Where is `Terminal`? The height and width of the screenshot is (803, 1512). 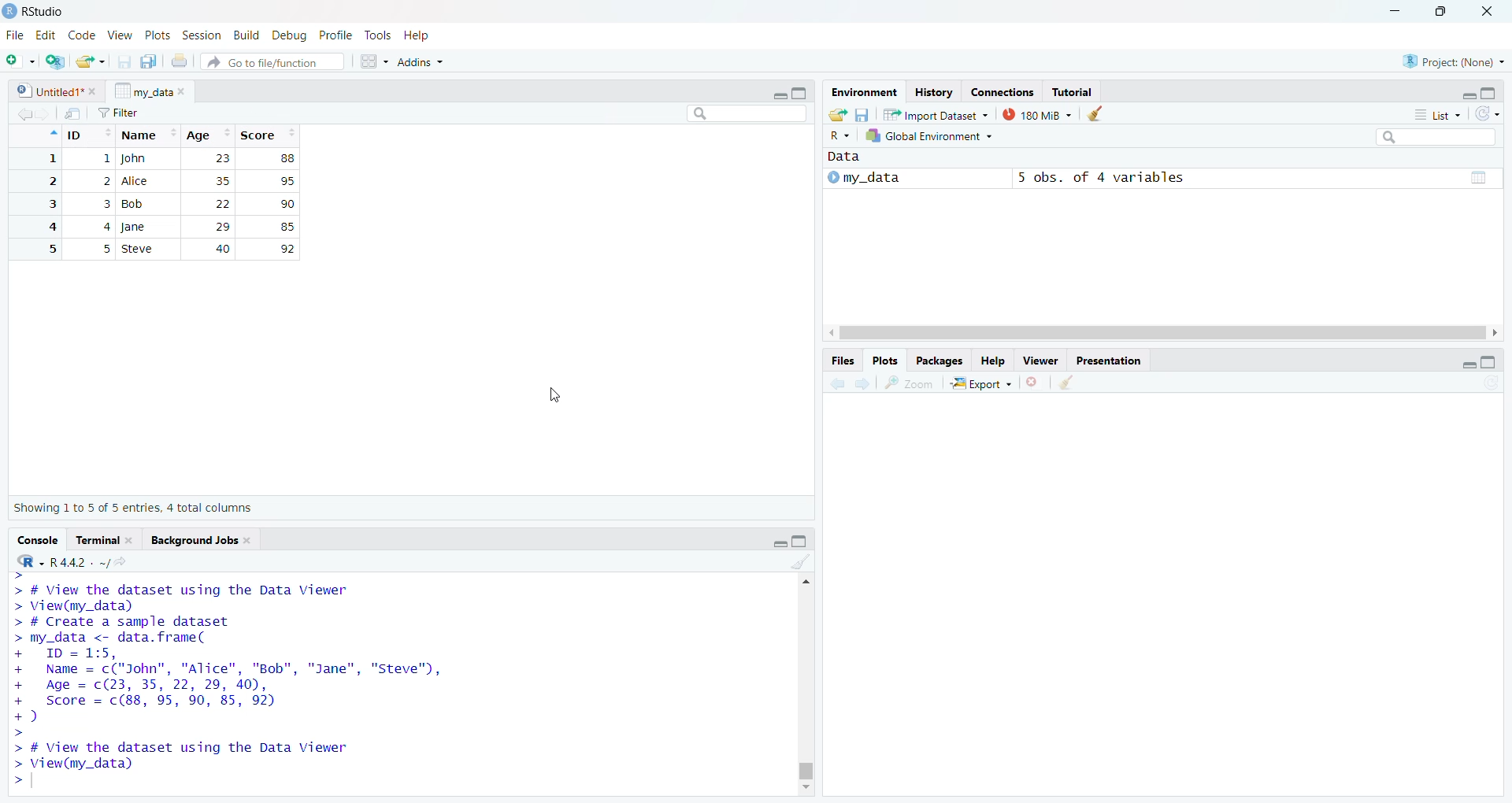 Terminal is located at coordinates (104, 539).